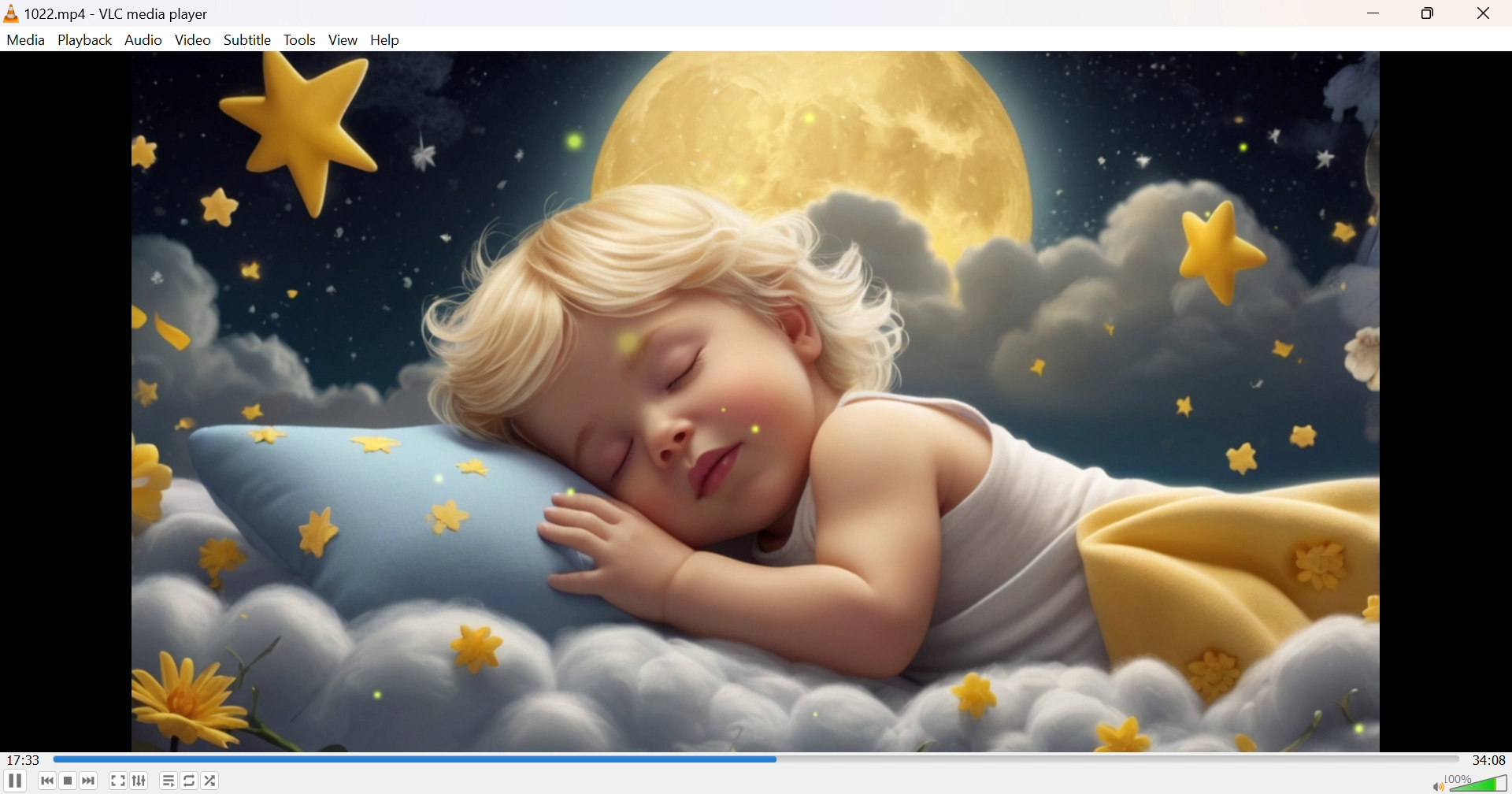 This screenshot has width=1512, height=794. What do you see at coordinates (415, 760) in the screenshot?
I see `seek bar` at bounding box center [415, 760].